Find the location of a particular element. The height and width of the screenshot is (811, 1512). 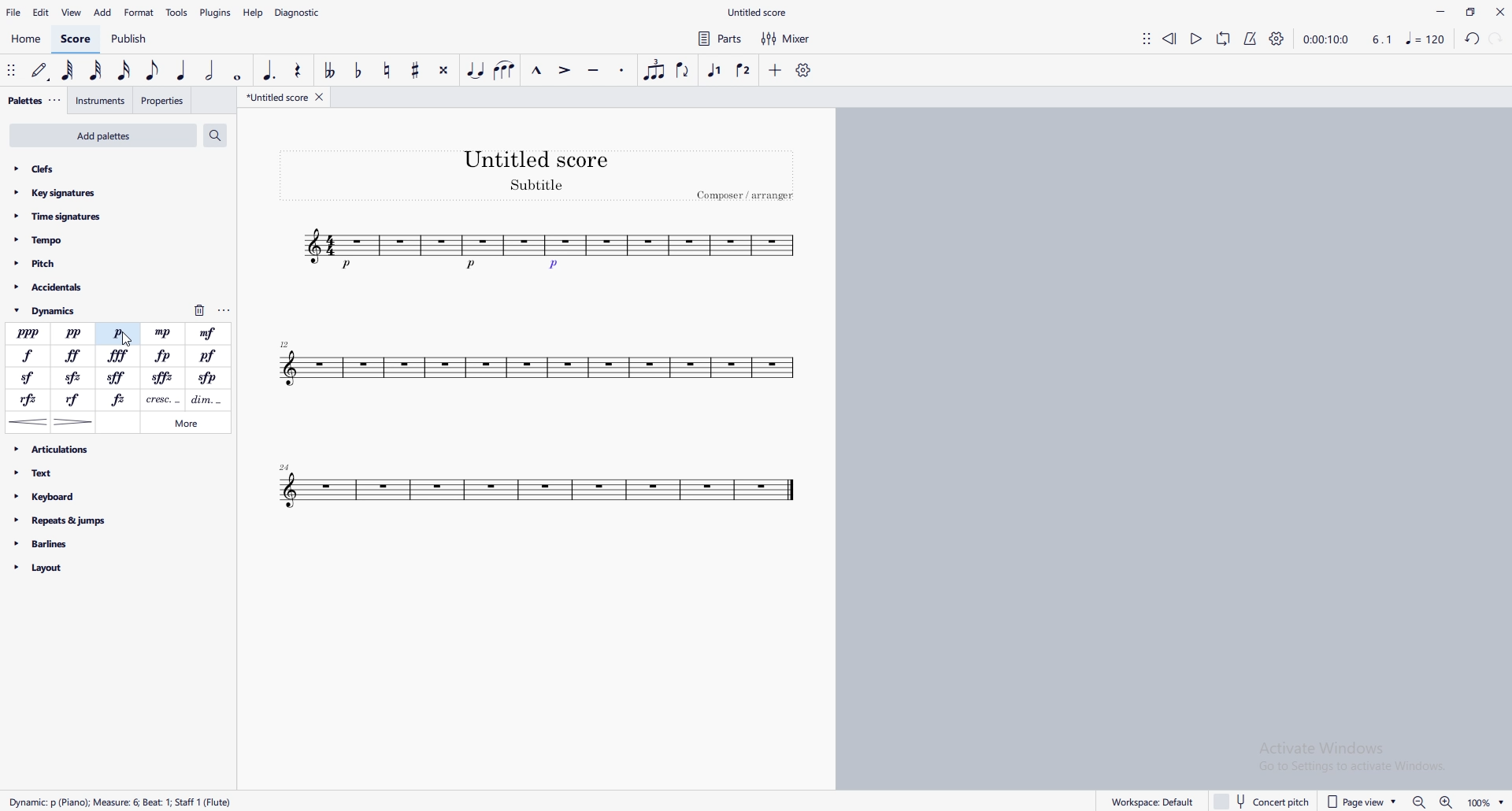

64th note is located at coordinates (68, 71).